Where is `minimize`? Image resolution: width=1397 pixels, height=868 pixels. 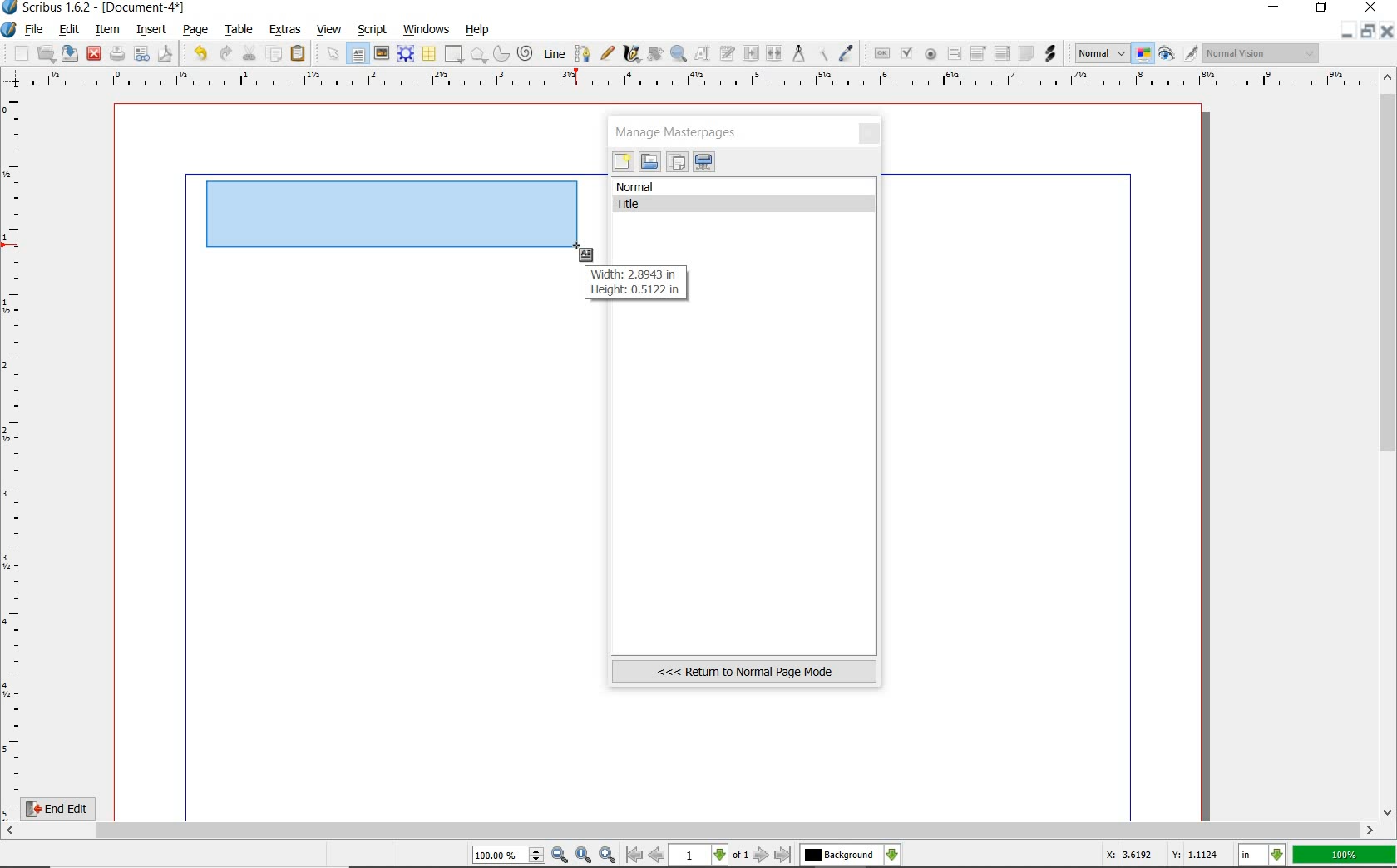 minimize is located at coordinates (1276, 8).